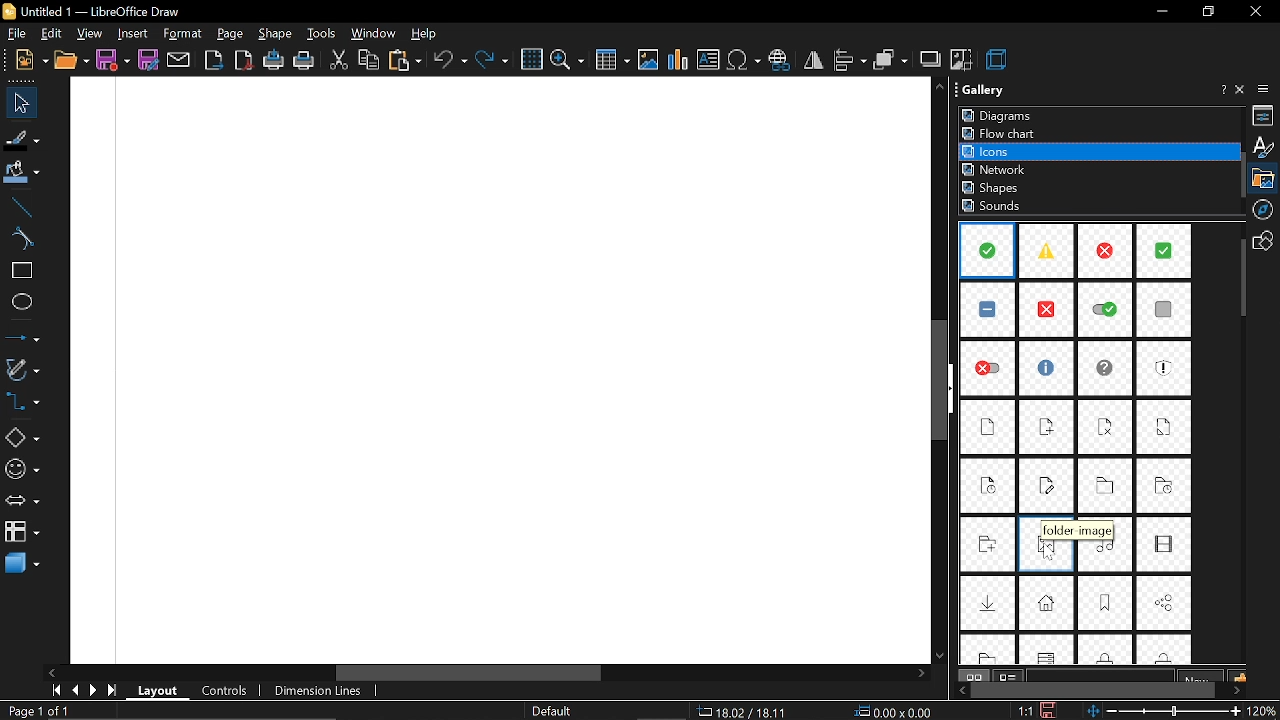 The height and width of the screenshot is (720, 1280). Describe the element at coordinates (21, 440) in the screenshot. I see `basic shapes` at that location.